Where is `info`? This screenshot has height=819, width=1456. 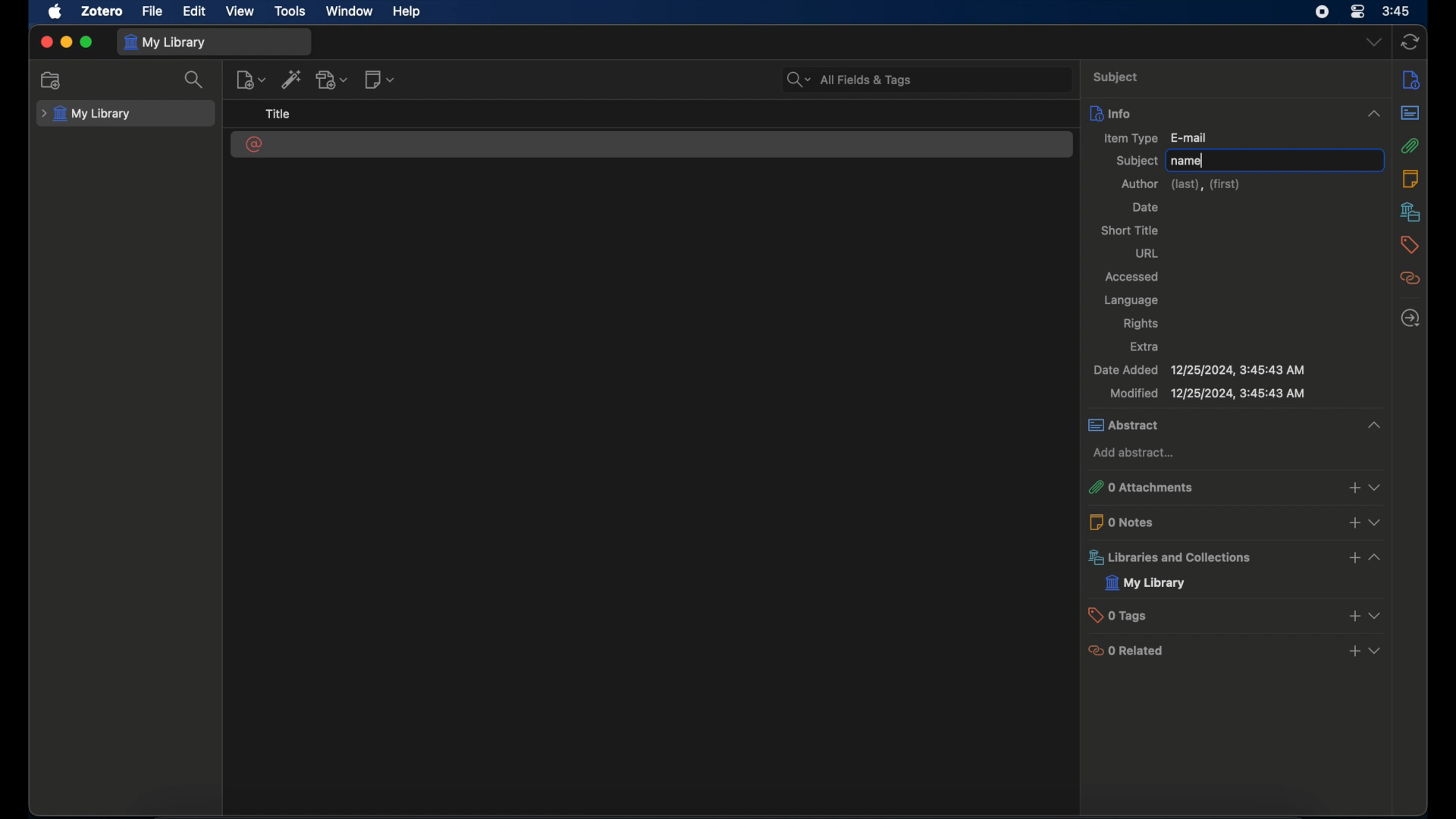 info is located at coordinates (1412, 79).